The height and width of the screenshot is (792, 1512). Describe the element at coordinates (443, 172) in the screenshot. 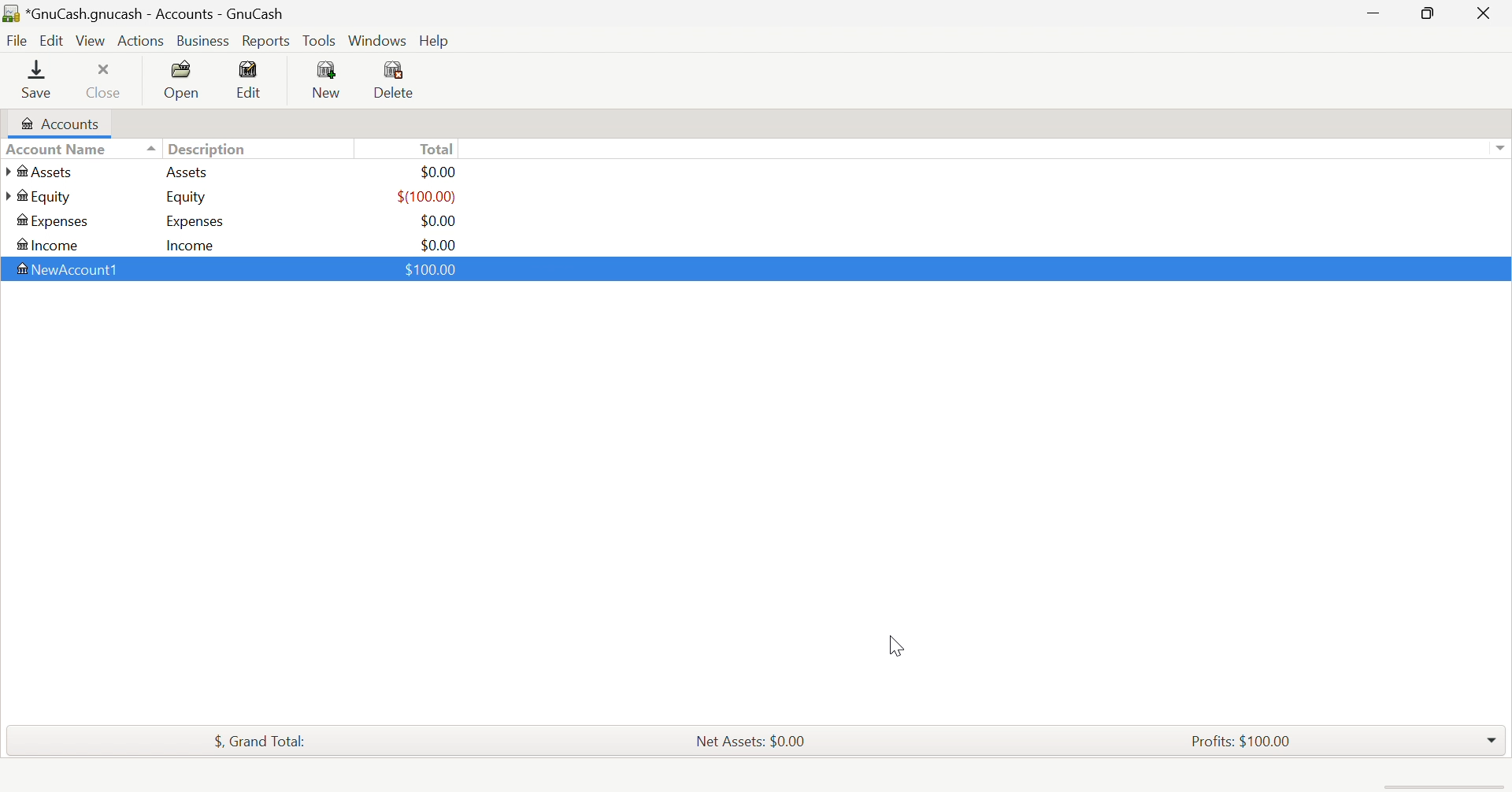

I see `$0.00` at that location.